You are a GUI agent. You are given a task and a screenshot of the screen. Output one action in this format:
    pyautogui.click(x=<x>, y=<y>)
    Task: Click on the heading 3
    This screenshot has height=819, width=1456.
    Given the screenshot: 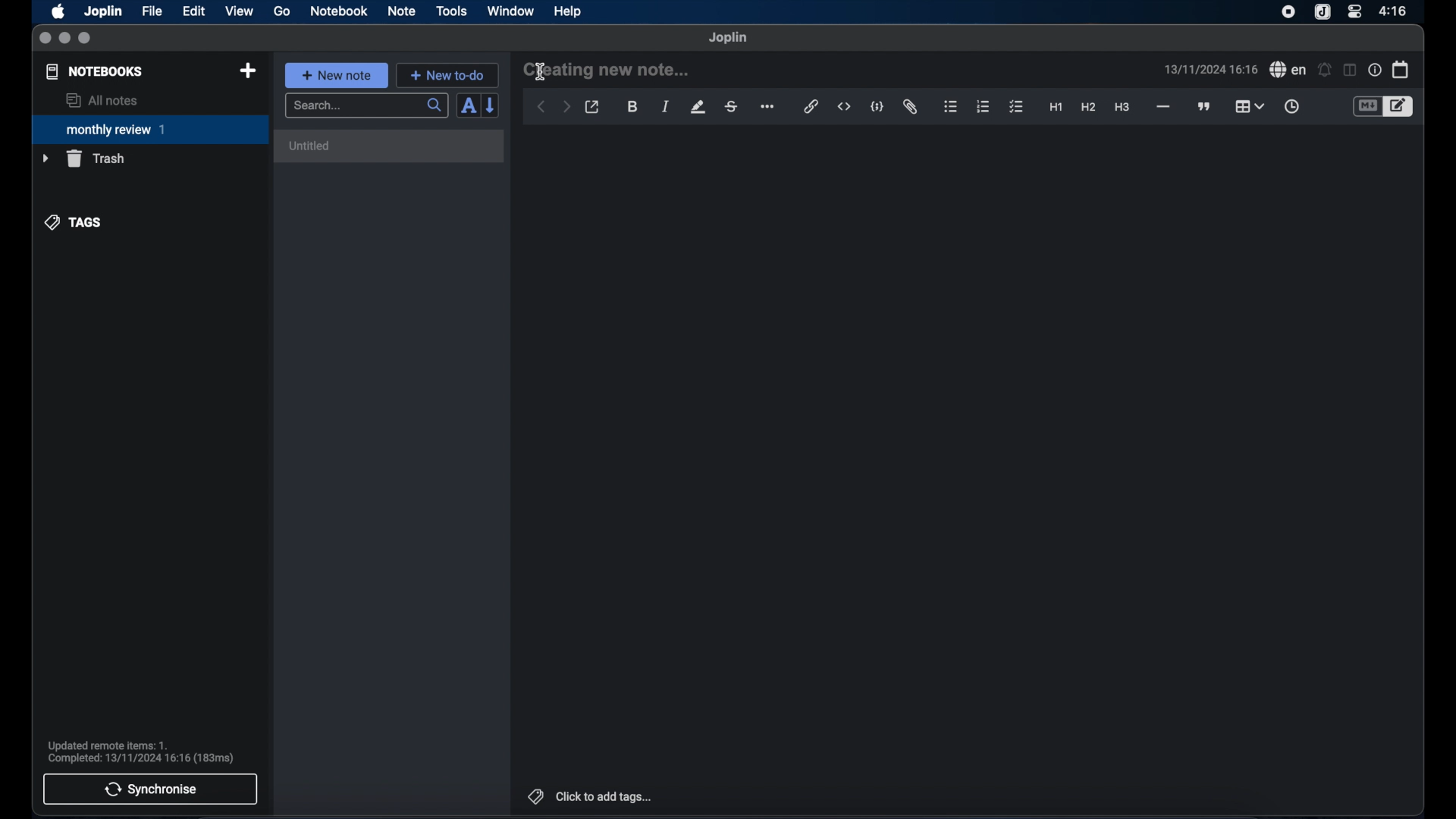 What is the action you would take?
    pyautogui.click(x=1122, y=108)
    